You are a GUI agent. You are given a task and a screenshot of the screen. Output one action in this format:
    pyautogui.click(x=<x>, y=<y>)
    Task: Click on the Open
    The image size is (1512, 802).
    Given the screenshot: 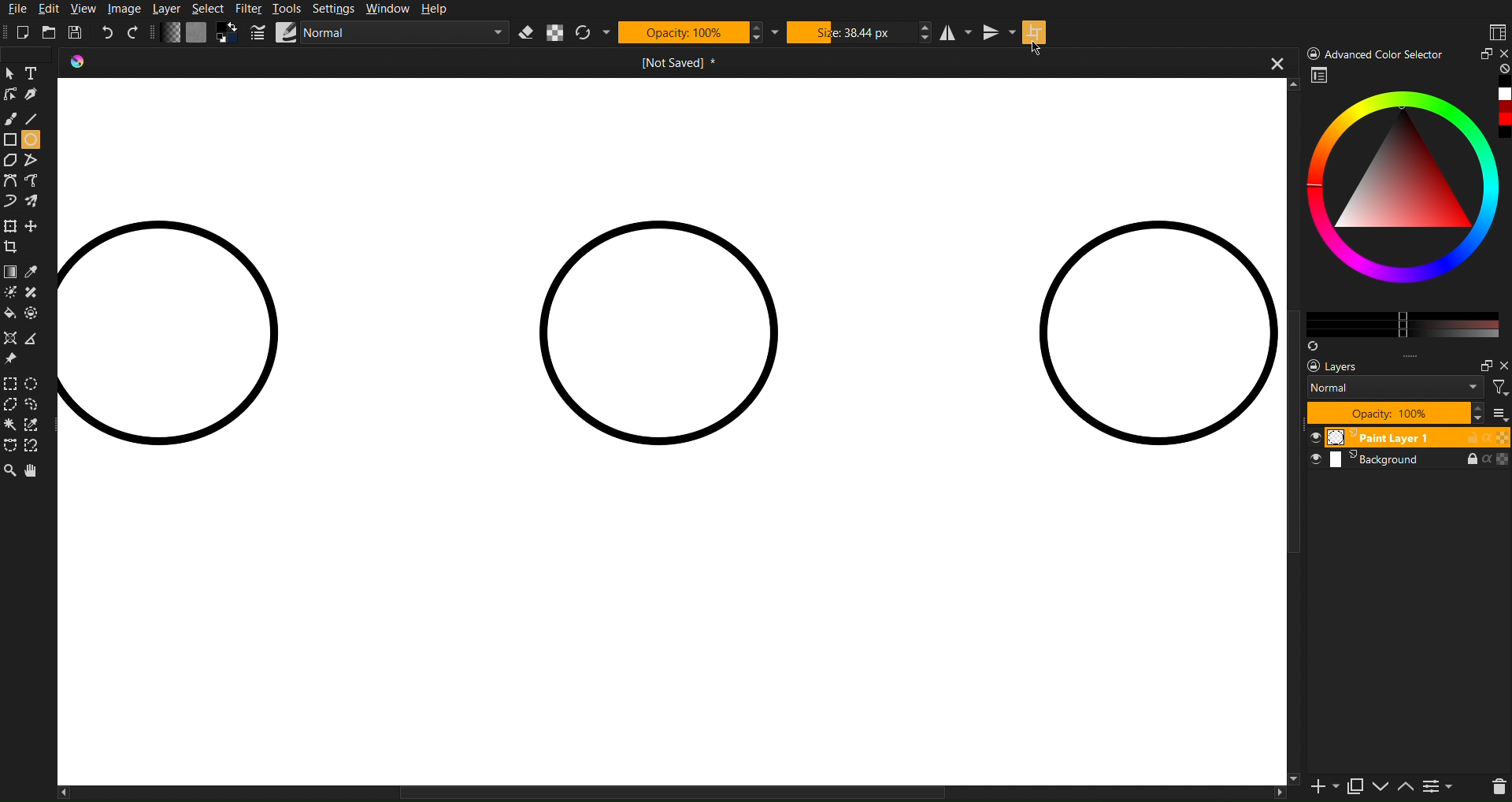 What is the action you would take?
    pyautogui.click(x=54, y=31)
    